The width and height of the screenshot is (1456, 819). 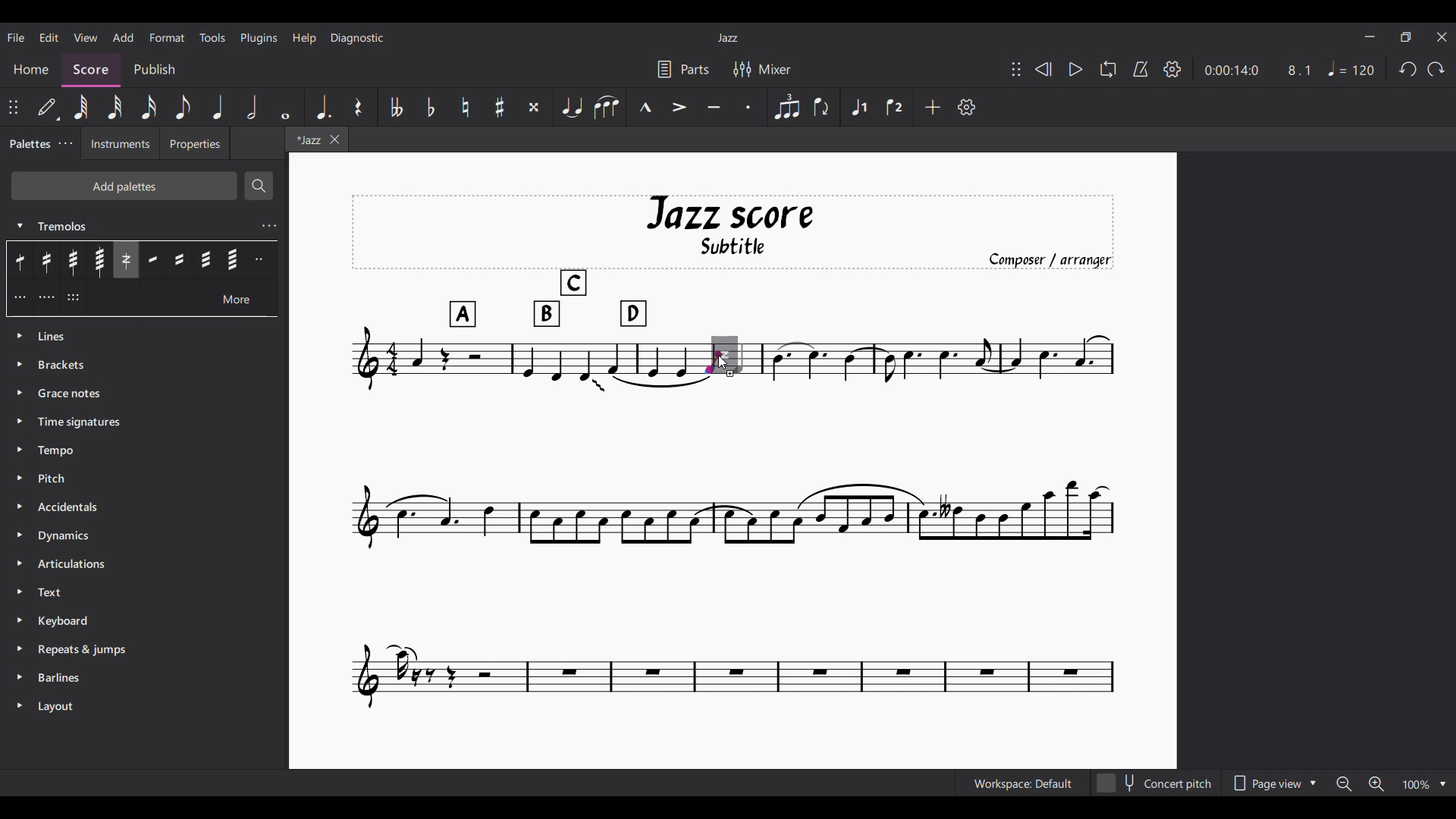 What do you see at coordinates (145, 536) in the screenshot?
I see `Dynamics` at bounding box center [145, 536].